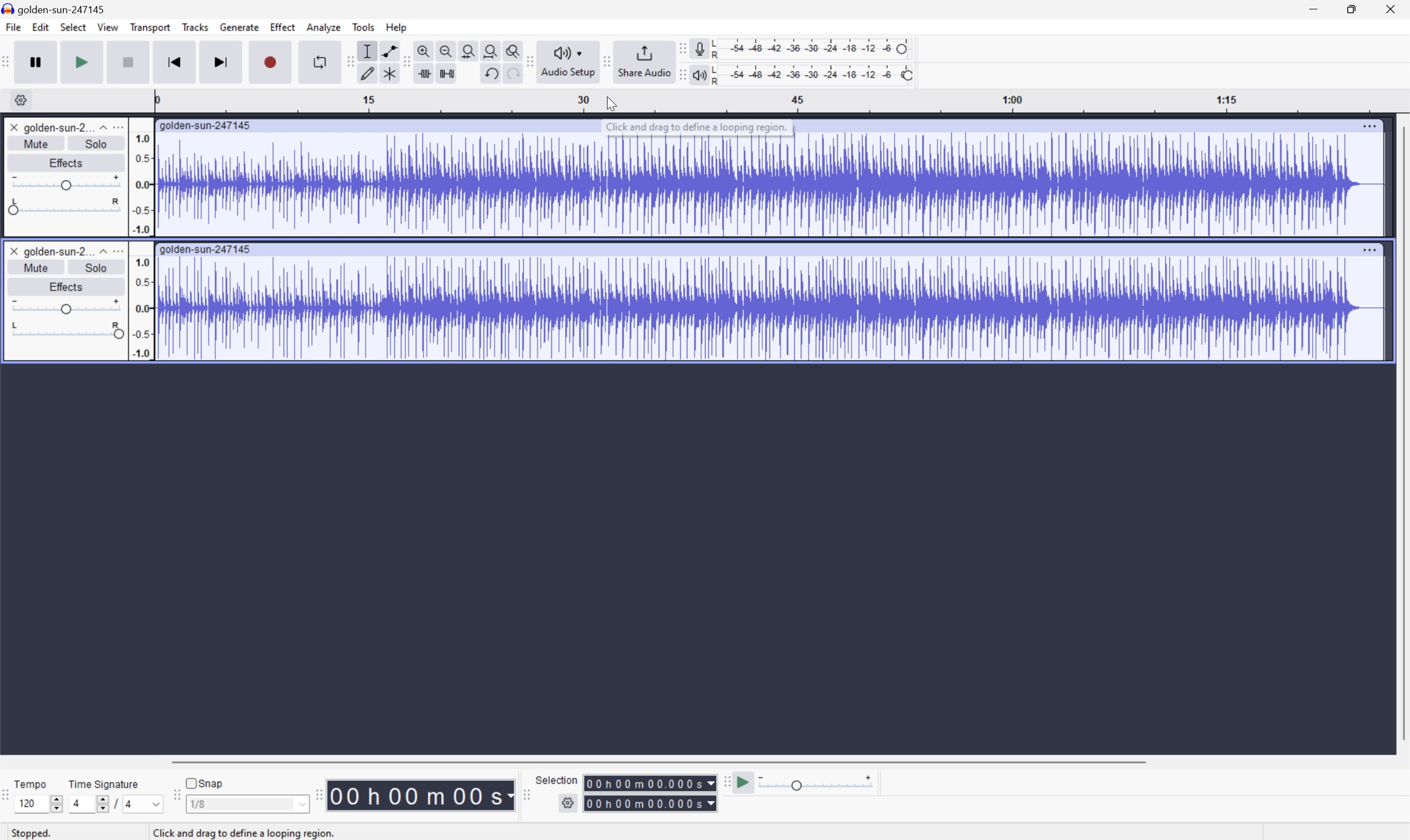  What do you see at coordinates (1314, 10) in the screenshot?
I see `Minimize` at bounding box center [1314, 10].